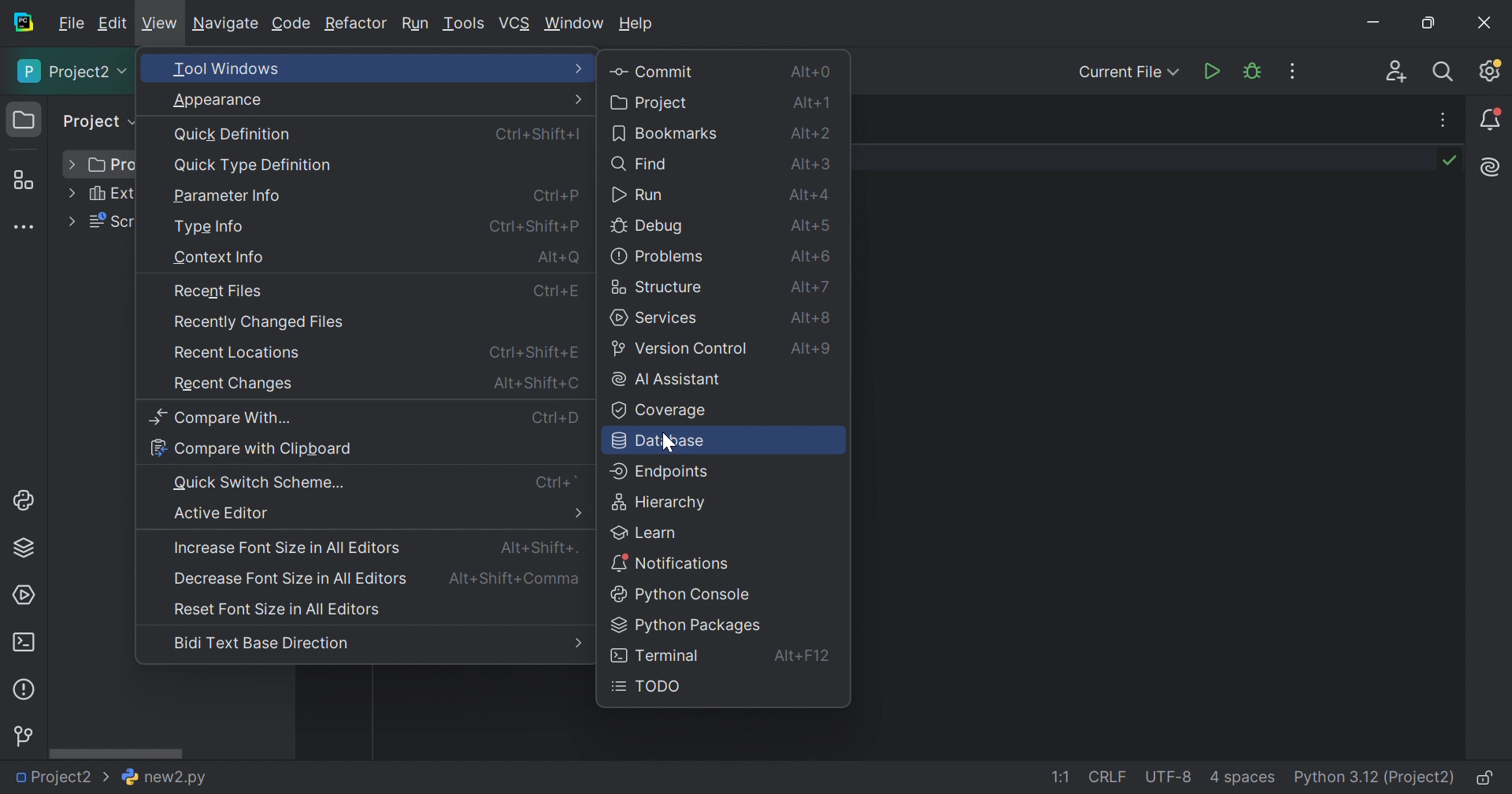  I want to click on Alt+6, so click(810, 255).